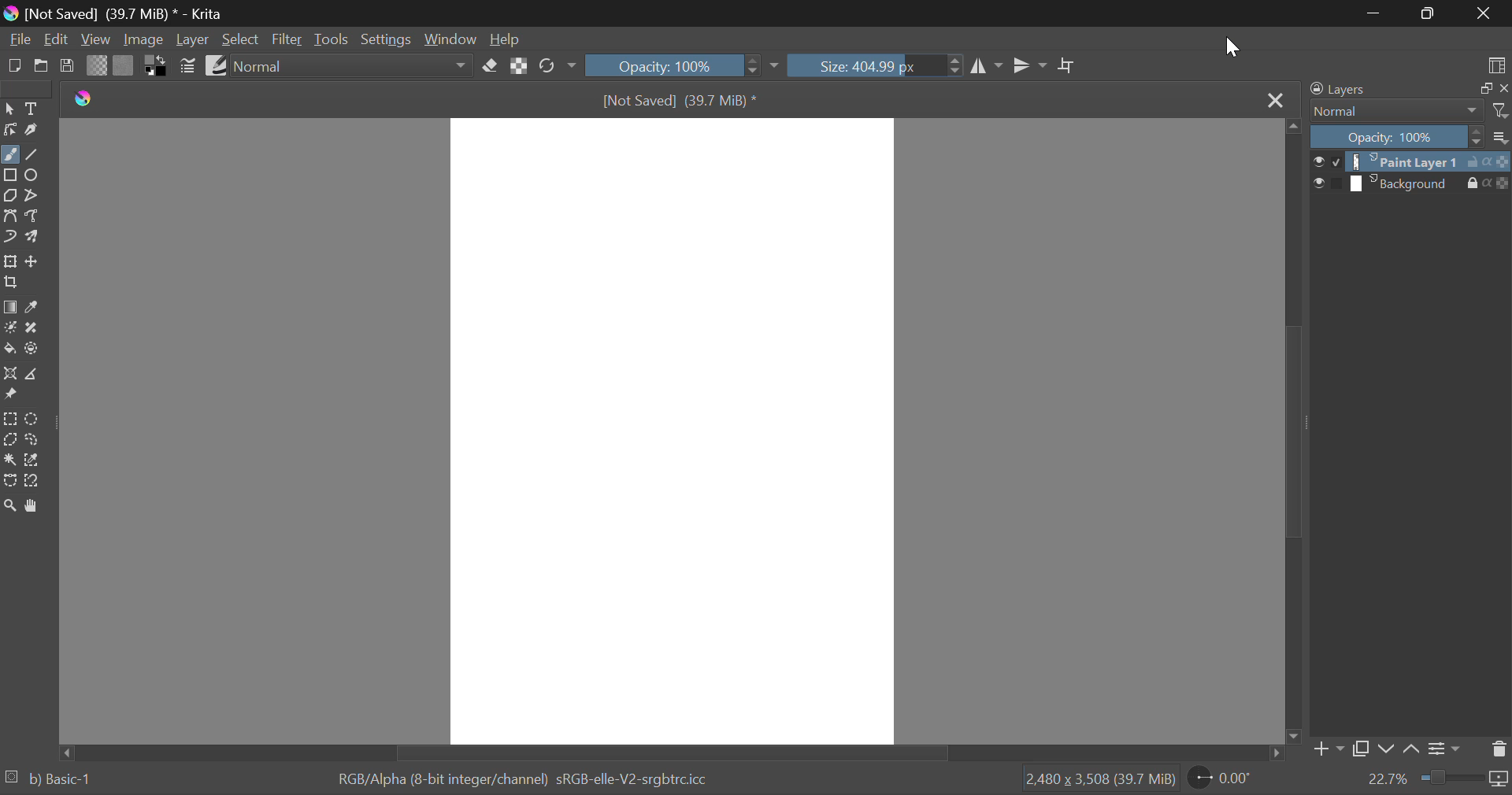 This screenshot has height=795, width=1512. I want to click on Move Layer, so click(34, 261).